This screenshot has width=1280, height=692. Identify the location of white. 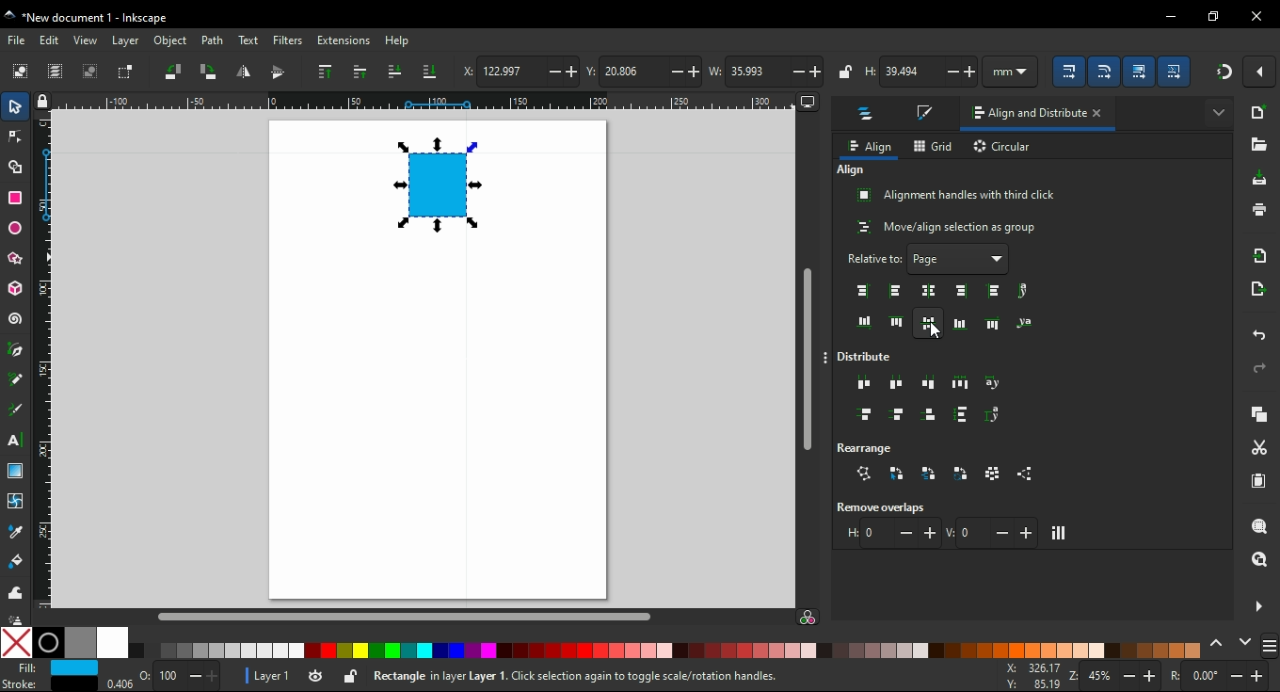
(112, 643).